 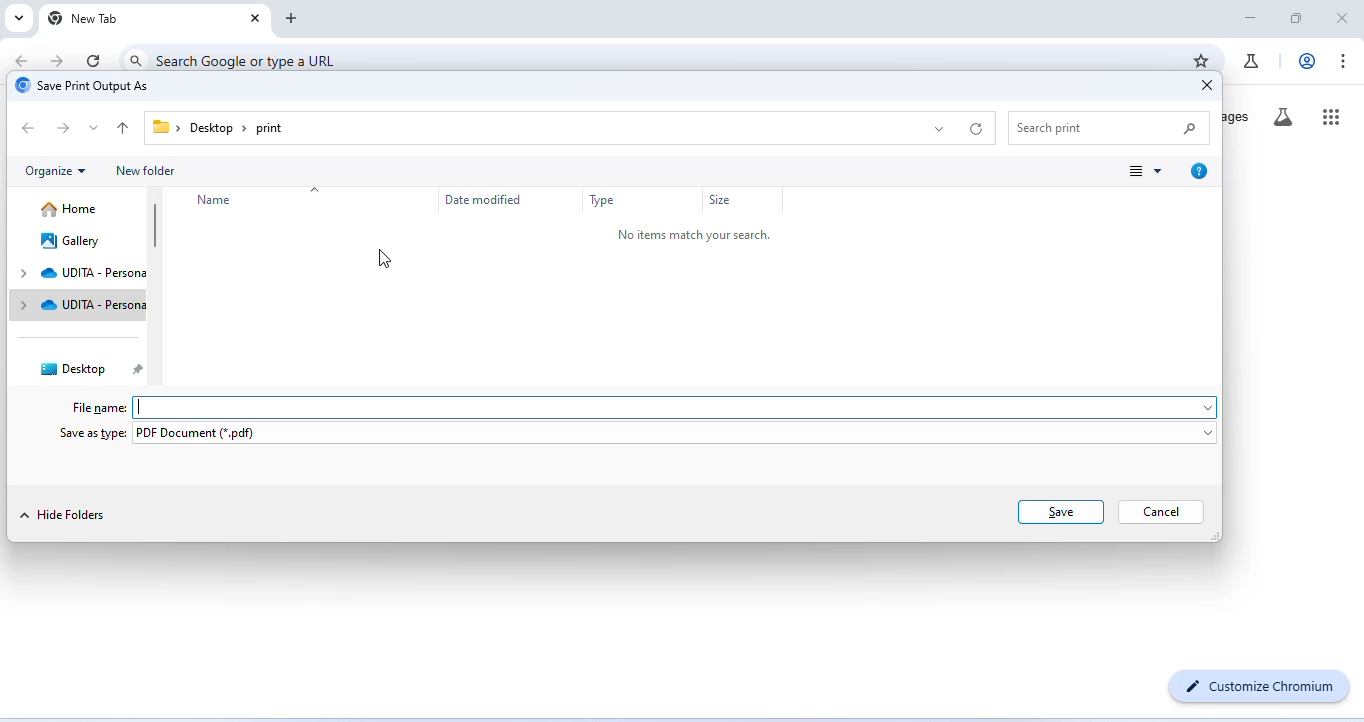 What do you see at coordinates (220, 127) in the screenshot?
I see `desktop > print` at bounding box center [220, 127].